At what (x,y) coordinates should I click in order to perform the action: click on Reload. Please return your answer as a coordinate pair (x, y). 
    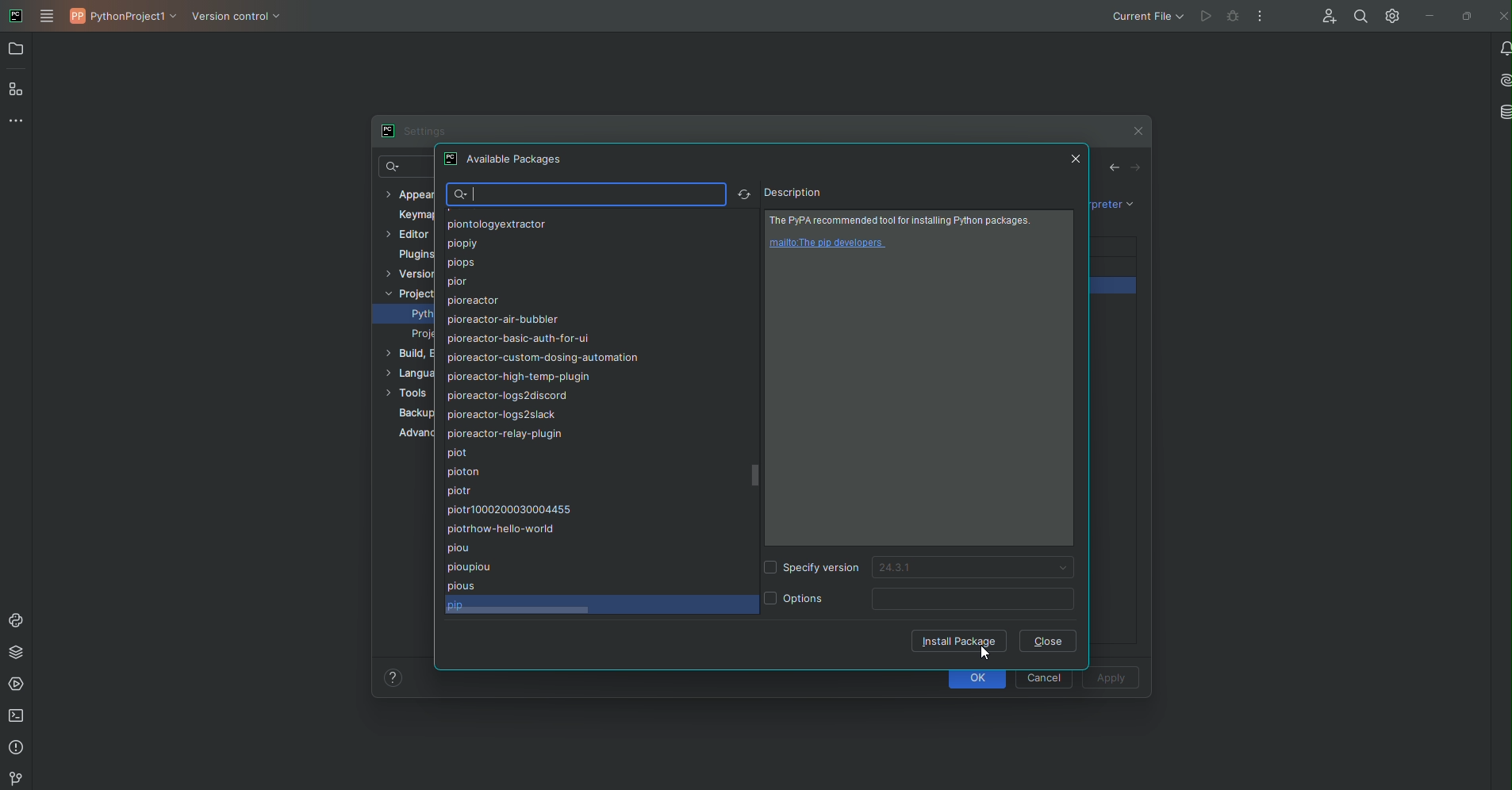
    Looking at the image, I should click on (743, 195).